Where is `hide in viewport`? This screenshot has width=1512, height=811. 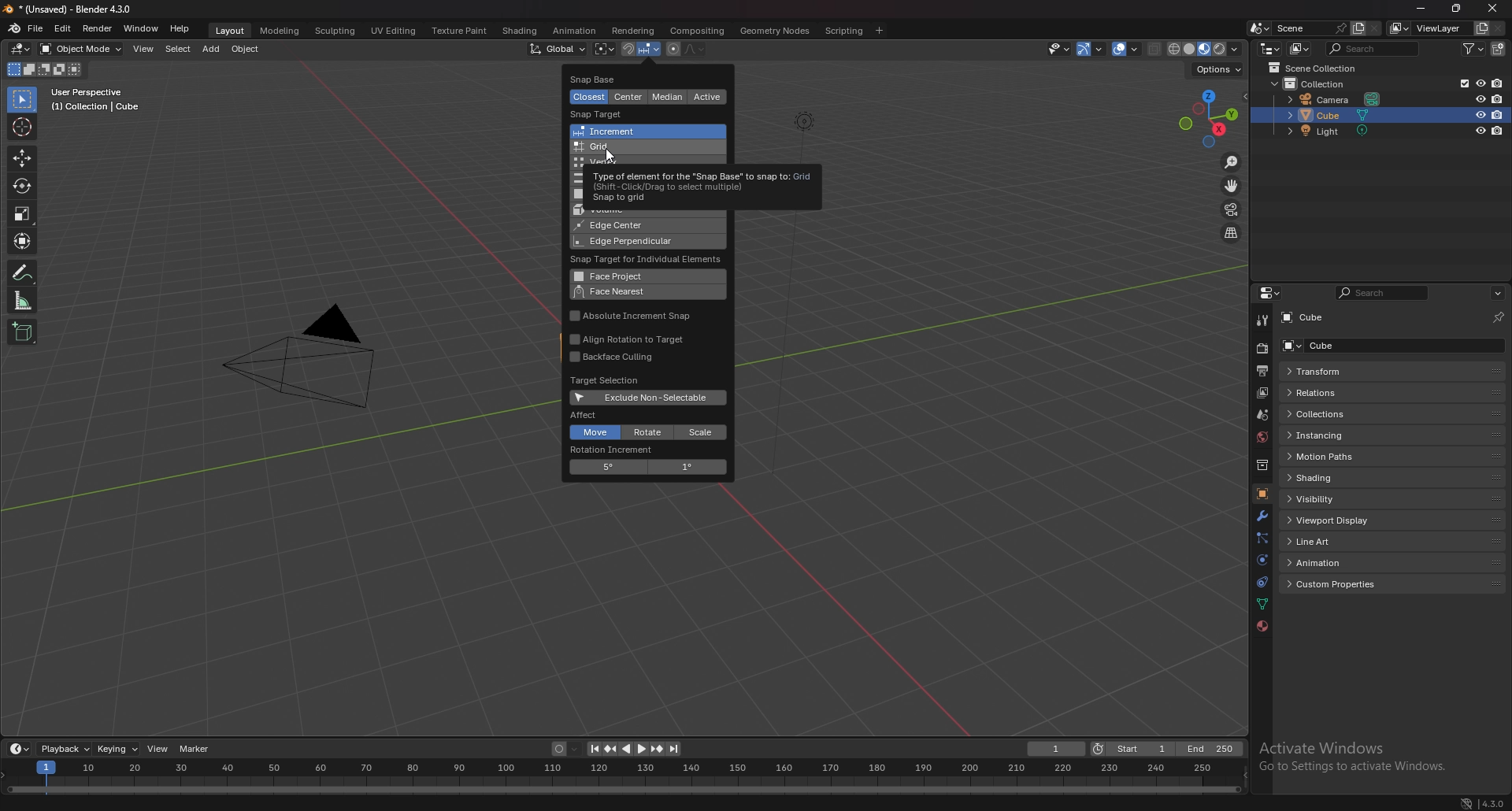
hide in viewport is located at coordinates (1479, 98).